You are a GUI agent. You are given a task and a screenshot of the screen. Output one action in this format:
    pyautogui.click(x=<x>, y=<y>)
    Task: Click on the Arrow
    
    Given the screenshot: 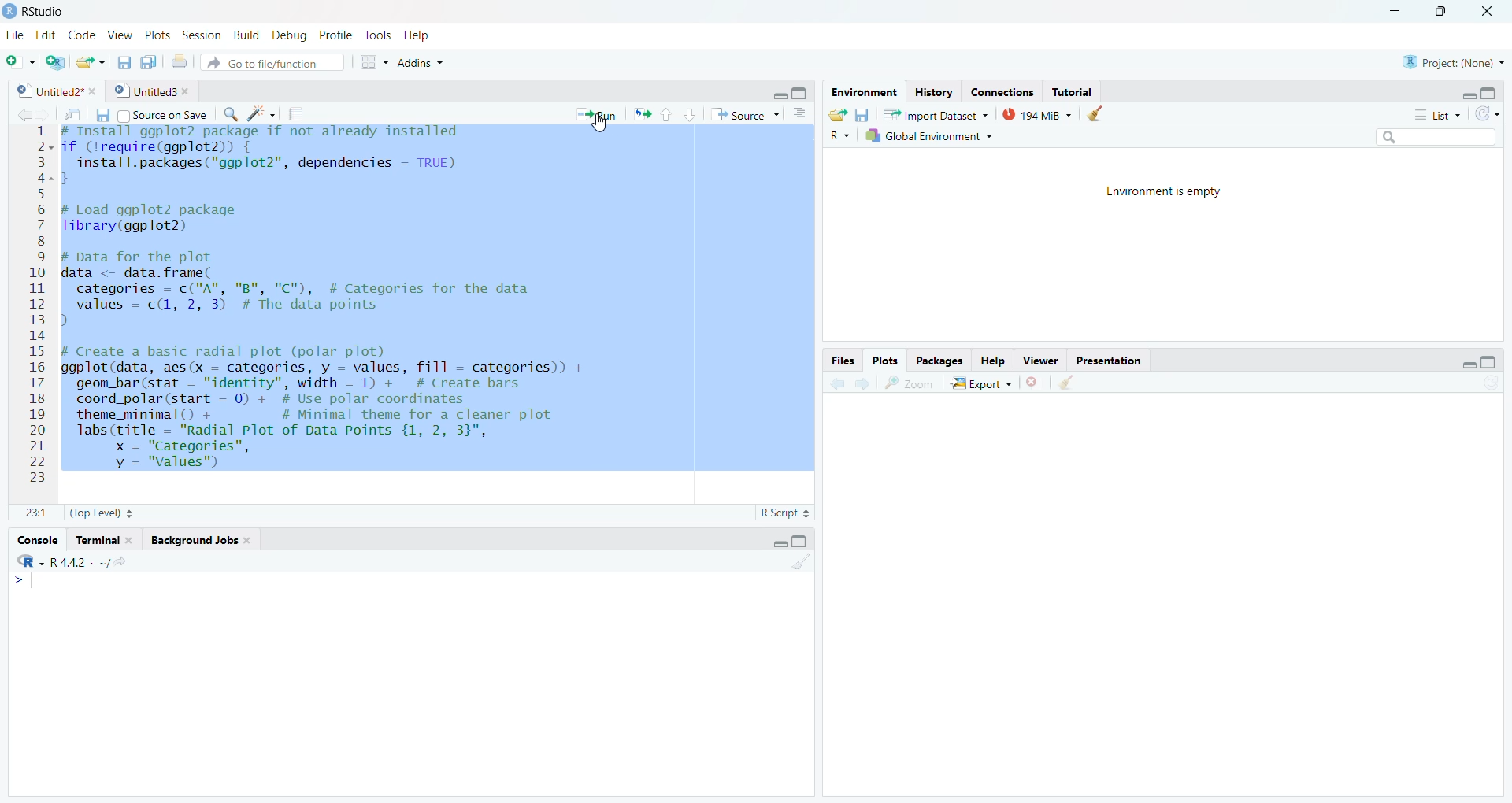 What is the action you would take?
    pyautogui.click(x=18, y=583)
    